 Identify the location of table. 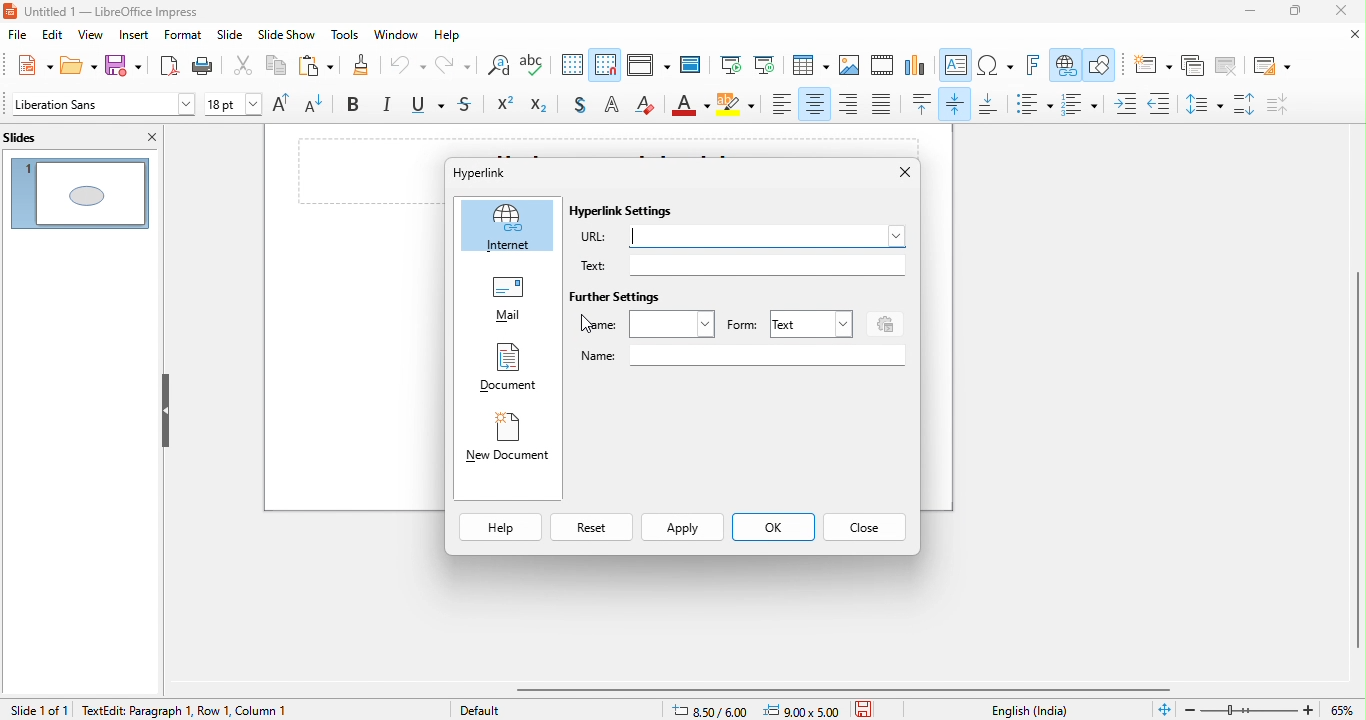
(810, 66).